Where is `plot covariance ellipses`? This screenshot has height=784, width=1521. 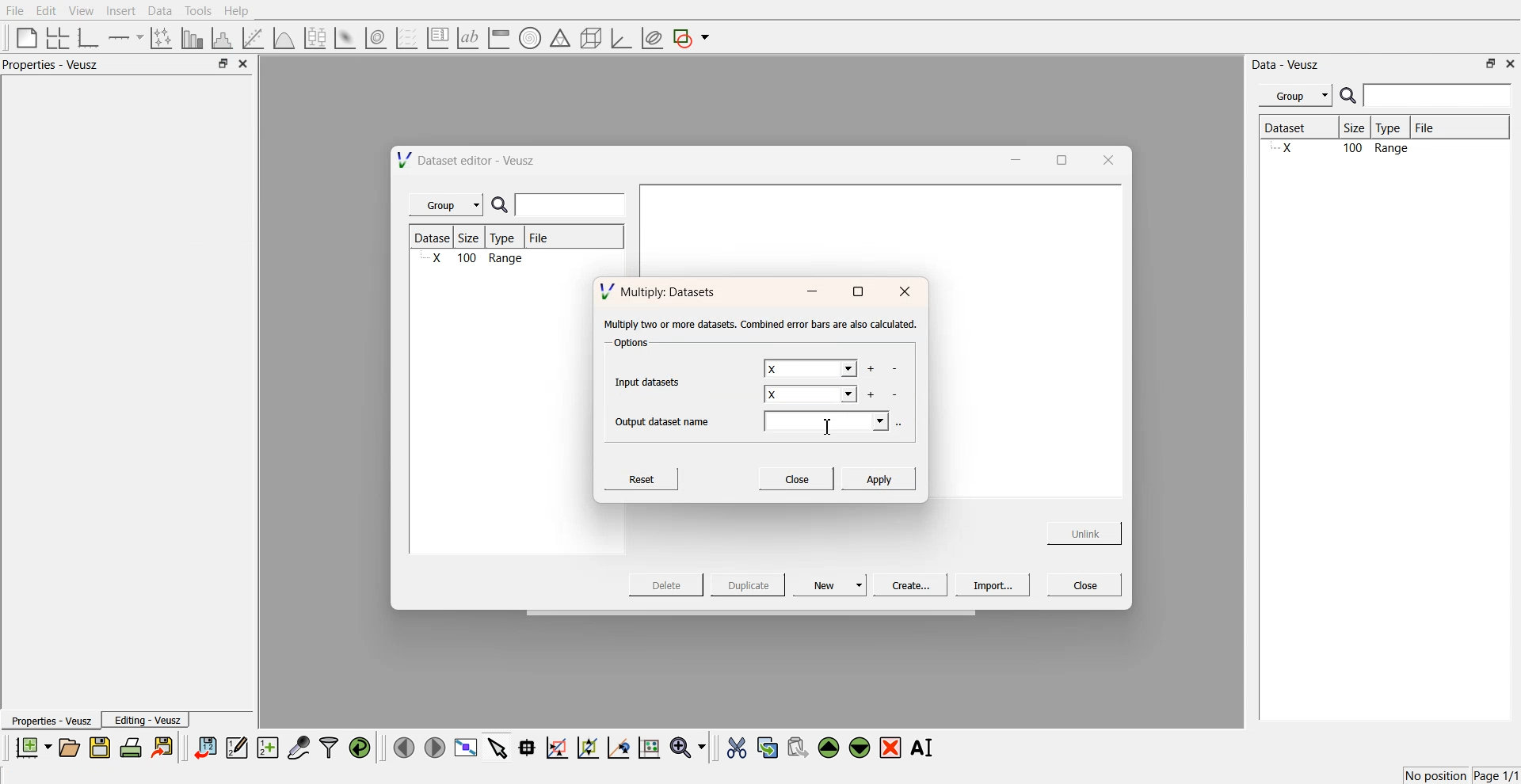
plot covariance ellipses is located at coordinates (651, 39).